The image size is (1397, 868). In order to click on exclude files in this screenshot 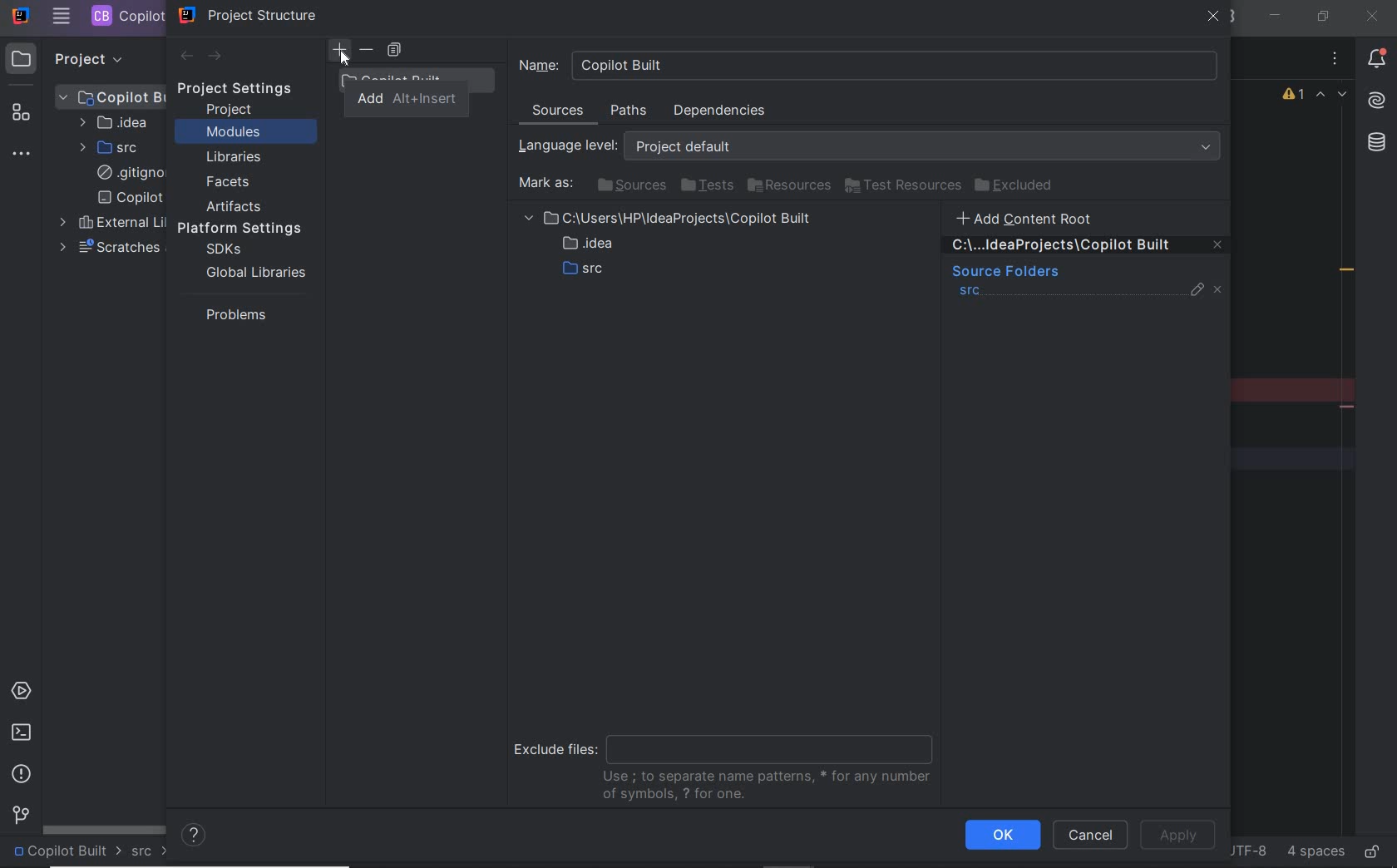, I will do `click(728, 761)`.